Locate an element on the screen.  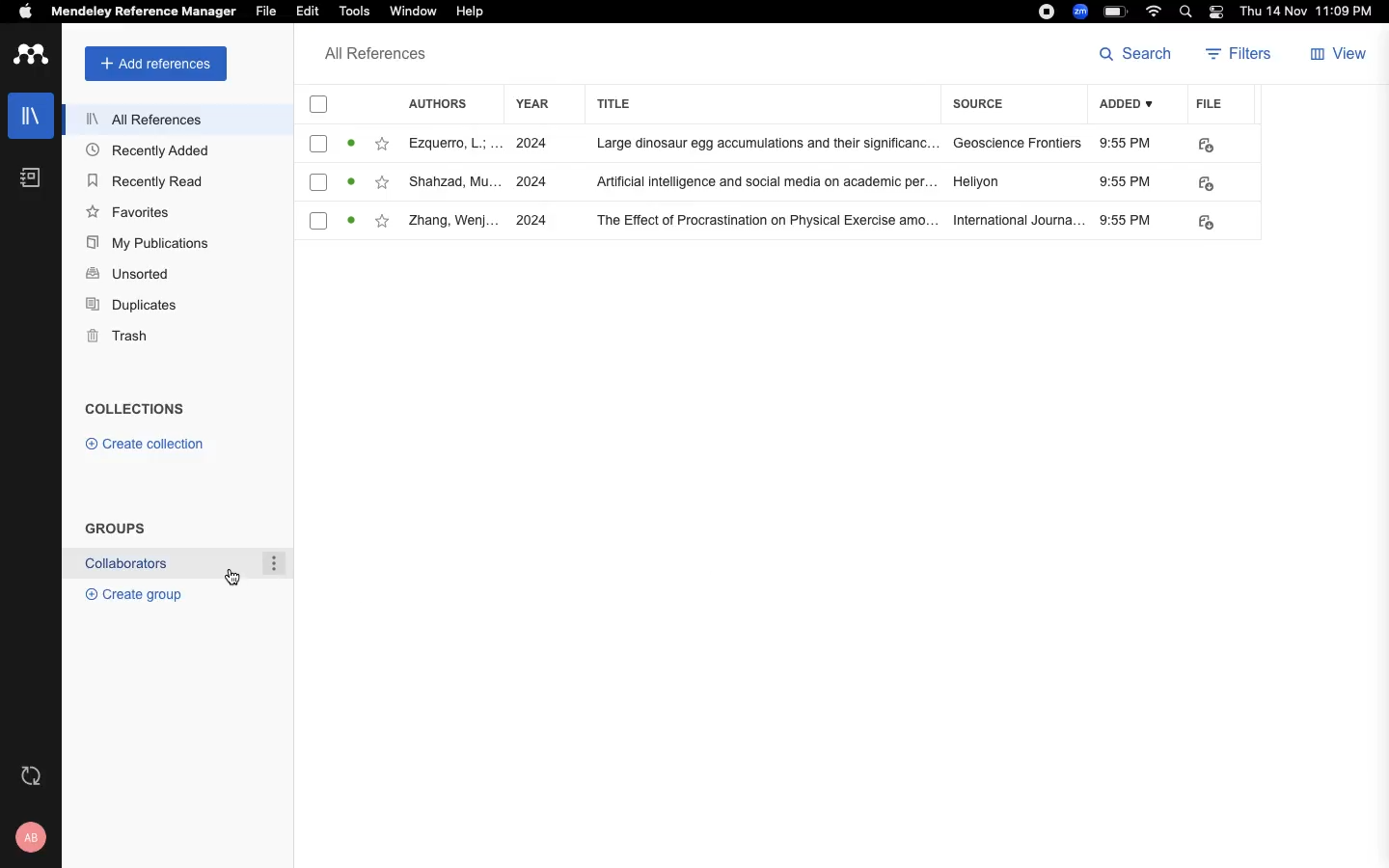
add references is located at coordinates (156, 64).